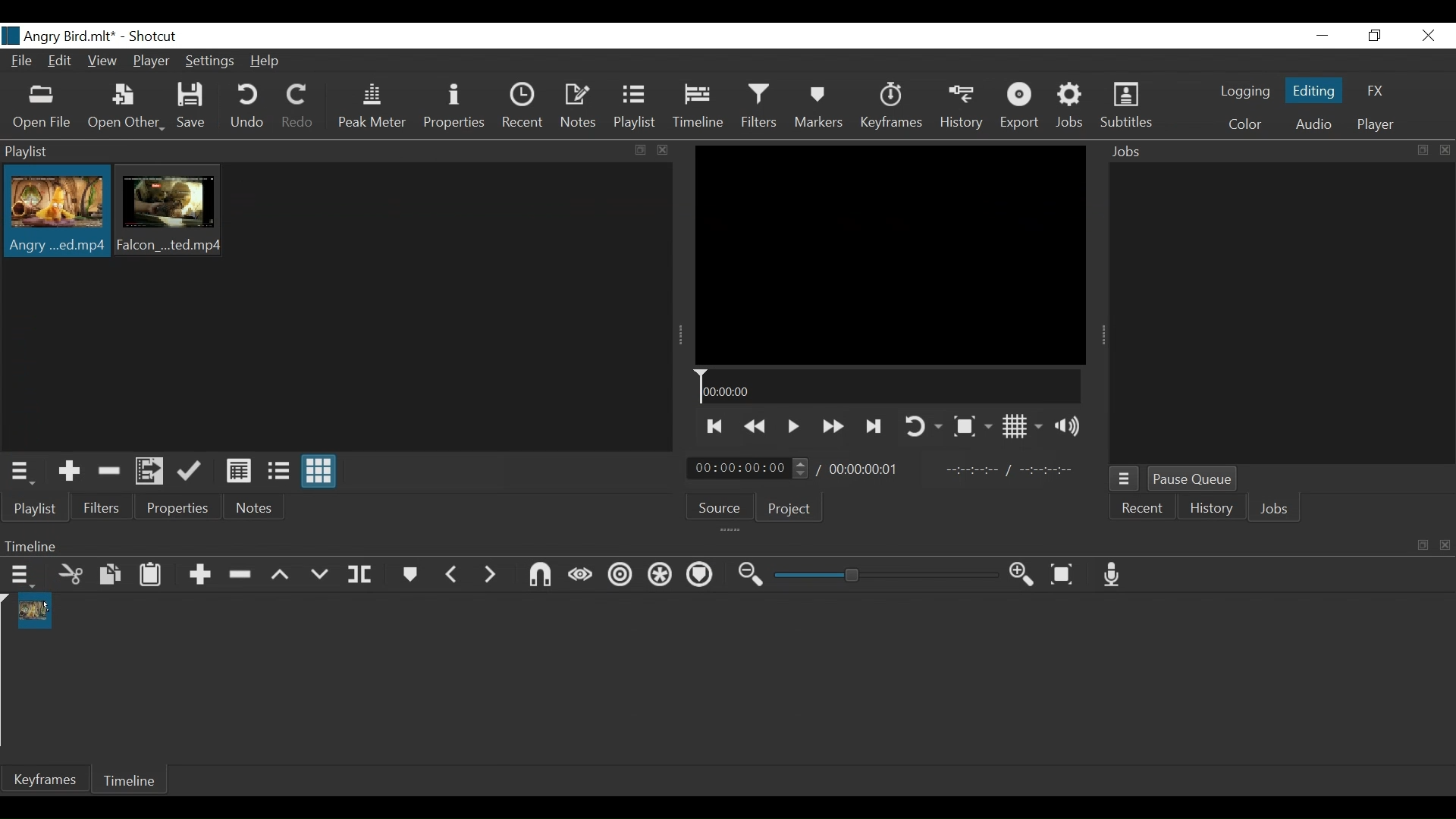 This screenshot has height=819, width=1456. I want to click on Skip to the previous point, so click(713, 427).